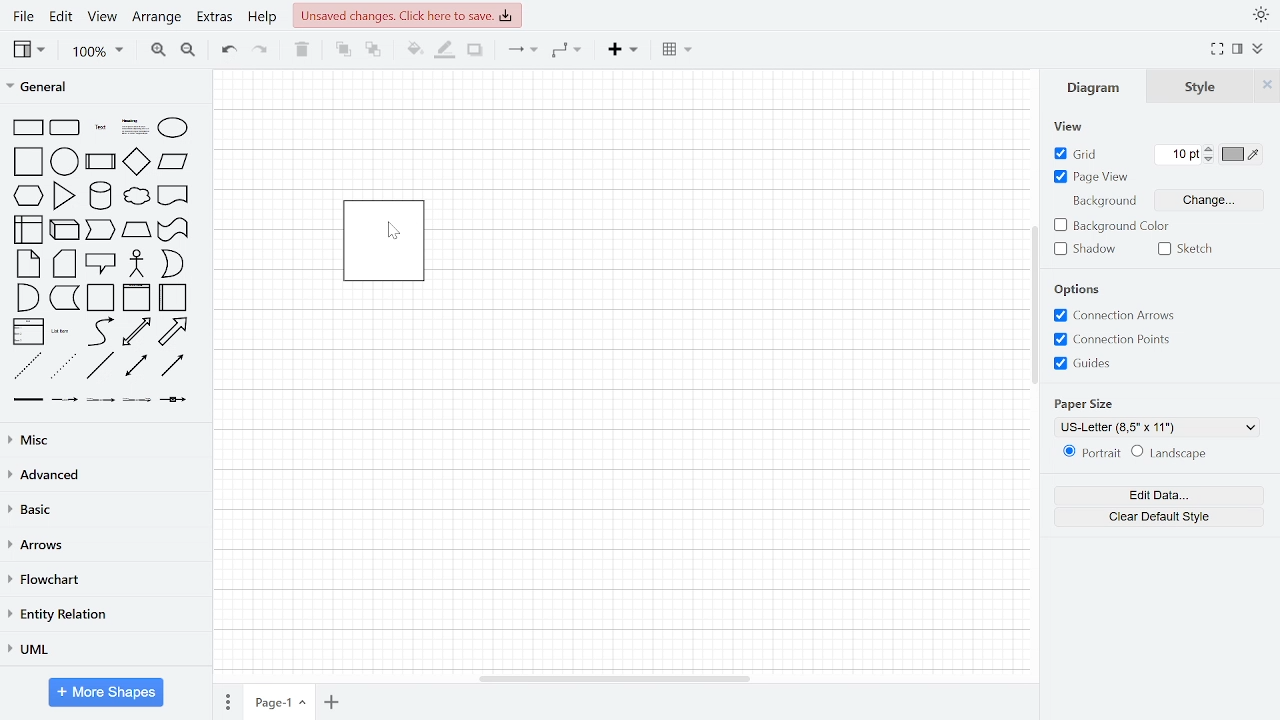 The width and height of the screenshot is (1280, 720). What do you see at coordinates (63, 333) in the screenshot?
I see `list item` at bounding box center [63, 333].